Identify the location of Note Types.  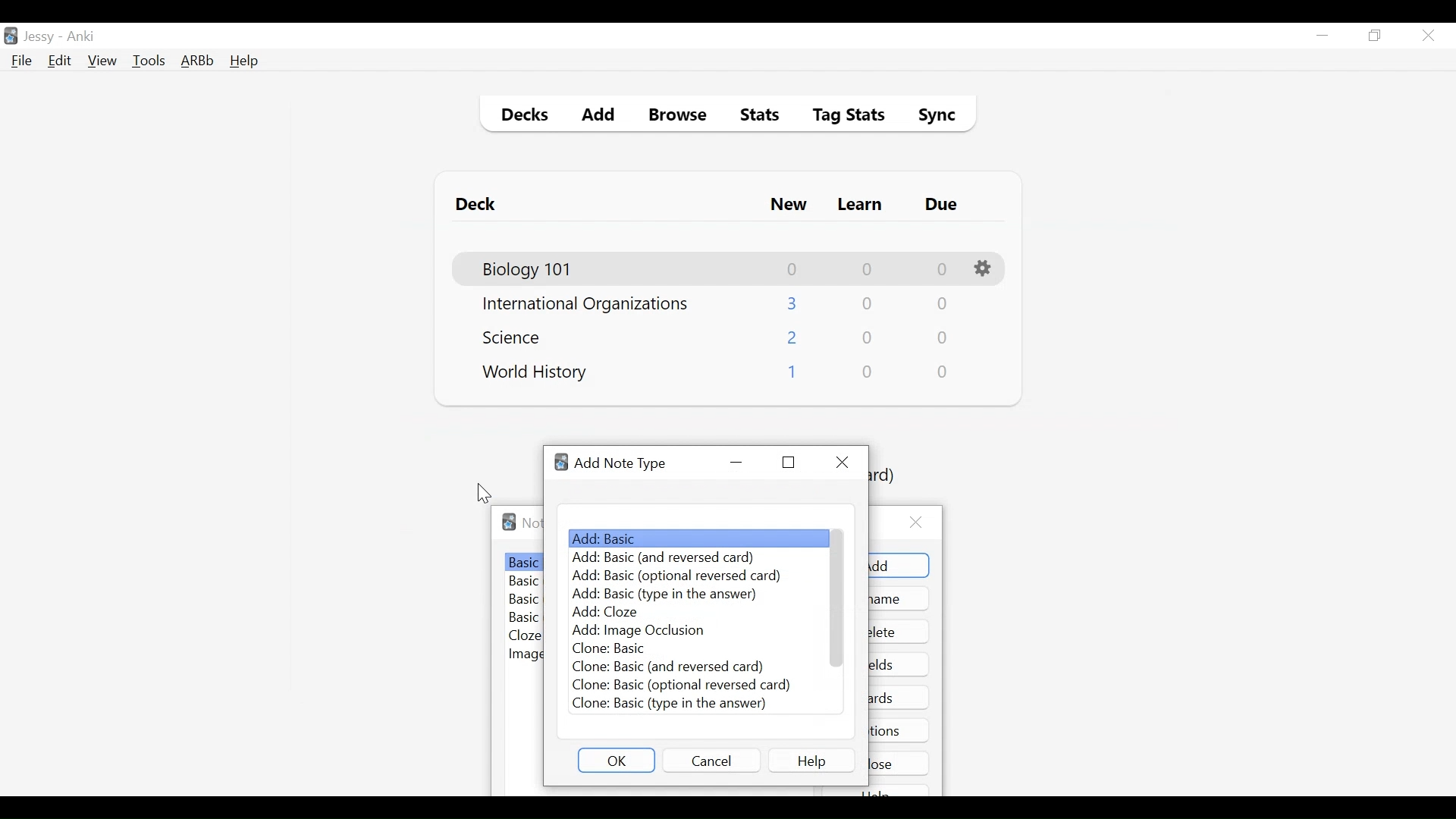
(532, 523).